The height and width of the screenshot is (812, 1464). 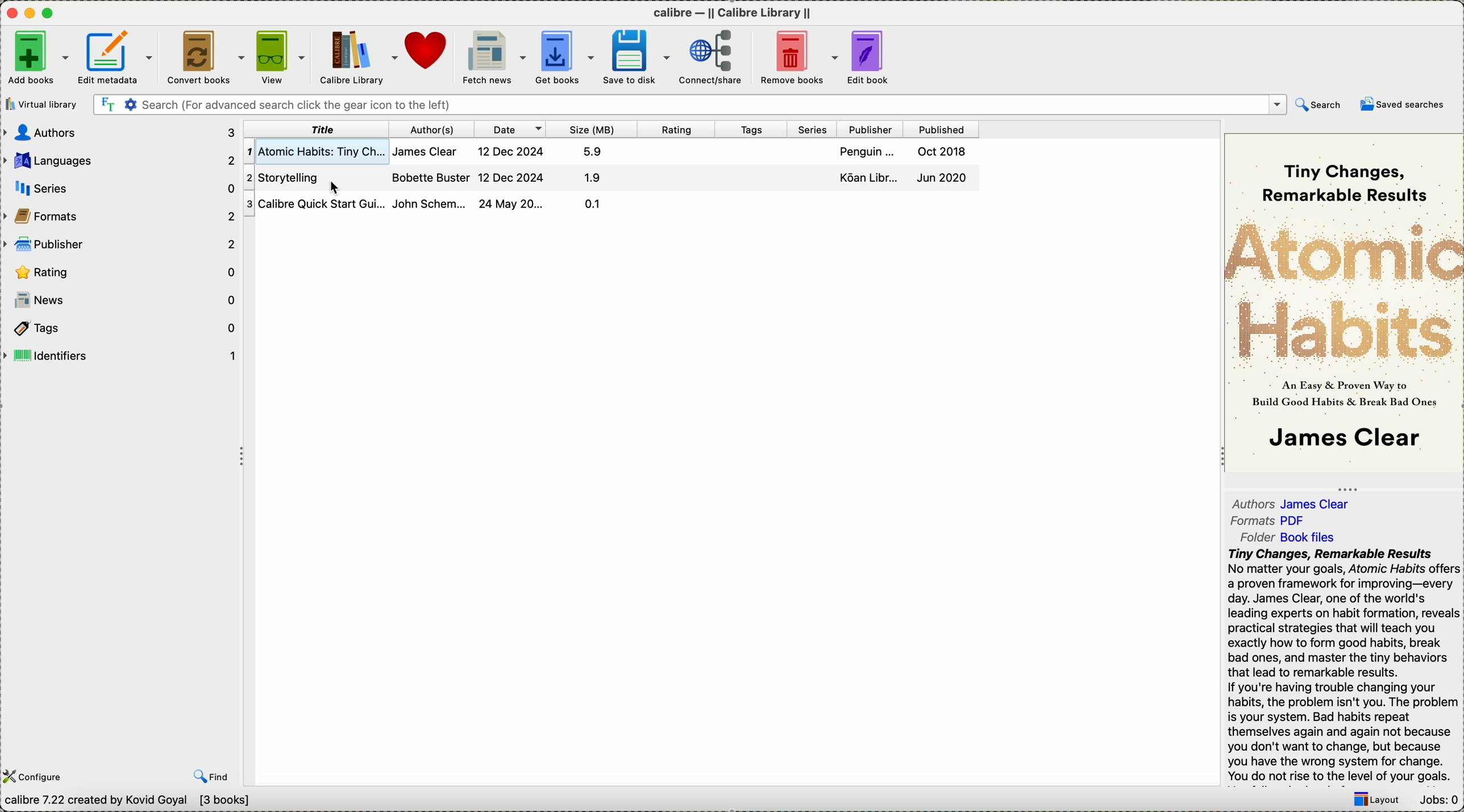 I want to click on calibre library, so click(x=354, y=57).